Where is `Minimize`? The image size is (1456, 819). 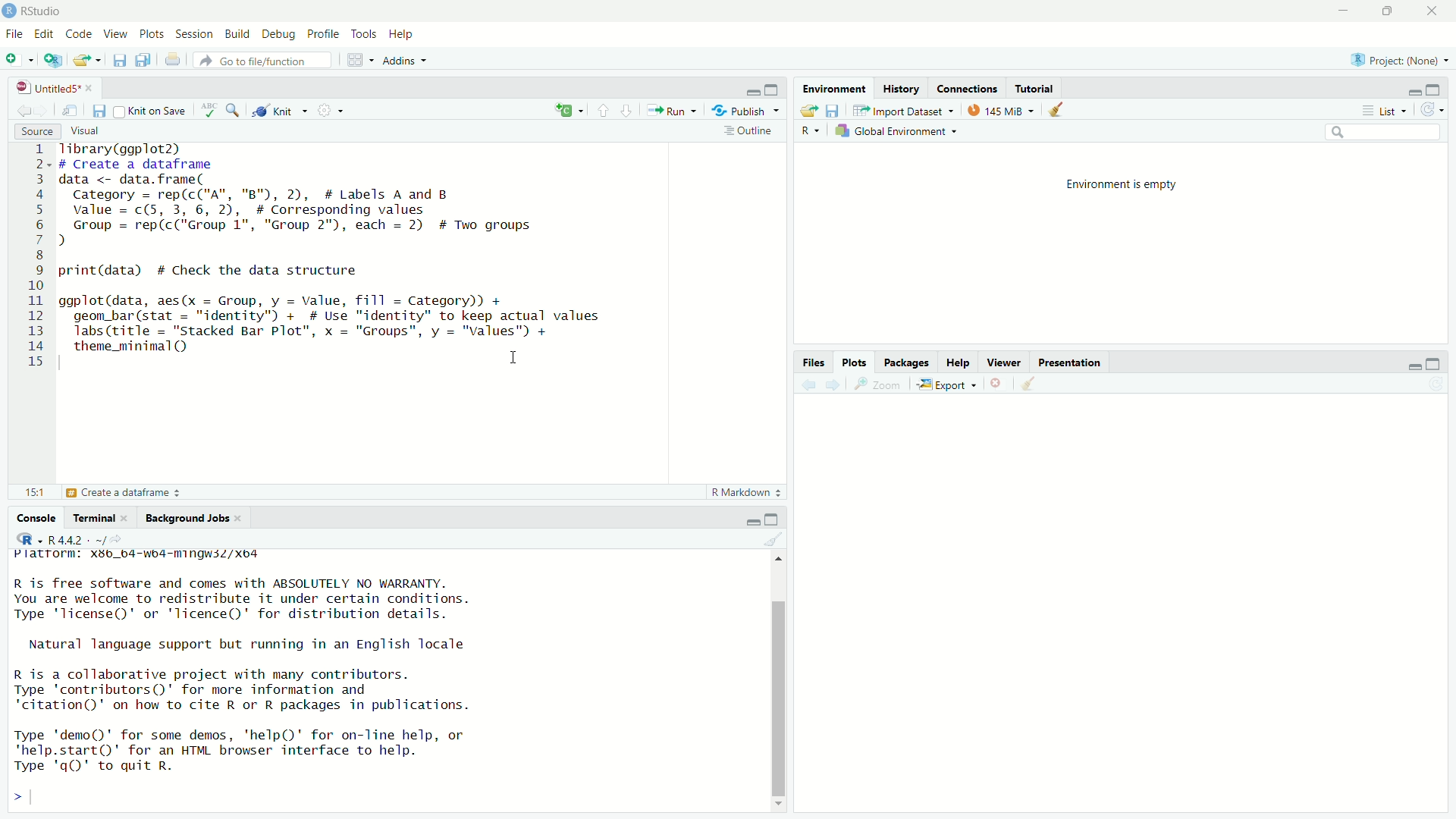 Minimize is located at coordinates (752, 91).